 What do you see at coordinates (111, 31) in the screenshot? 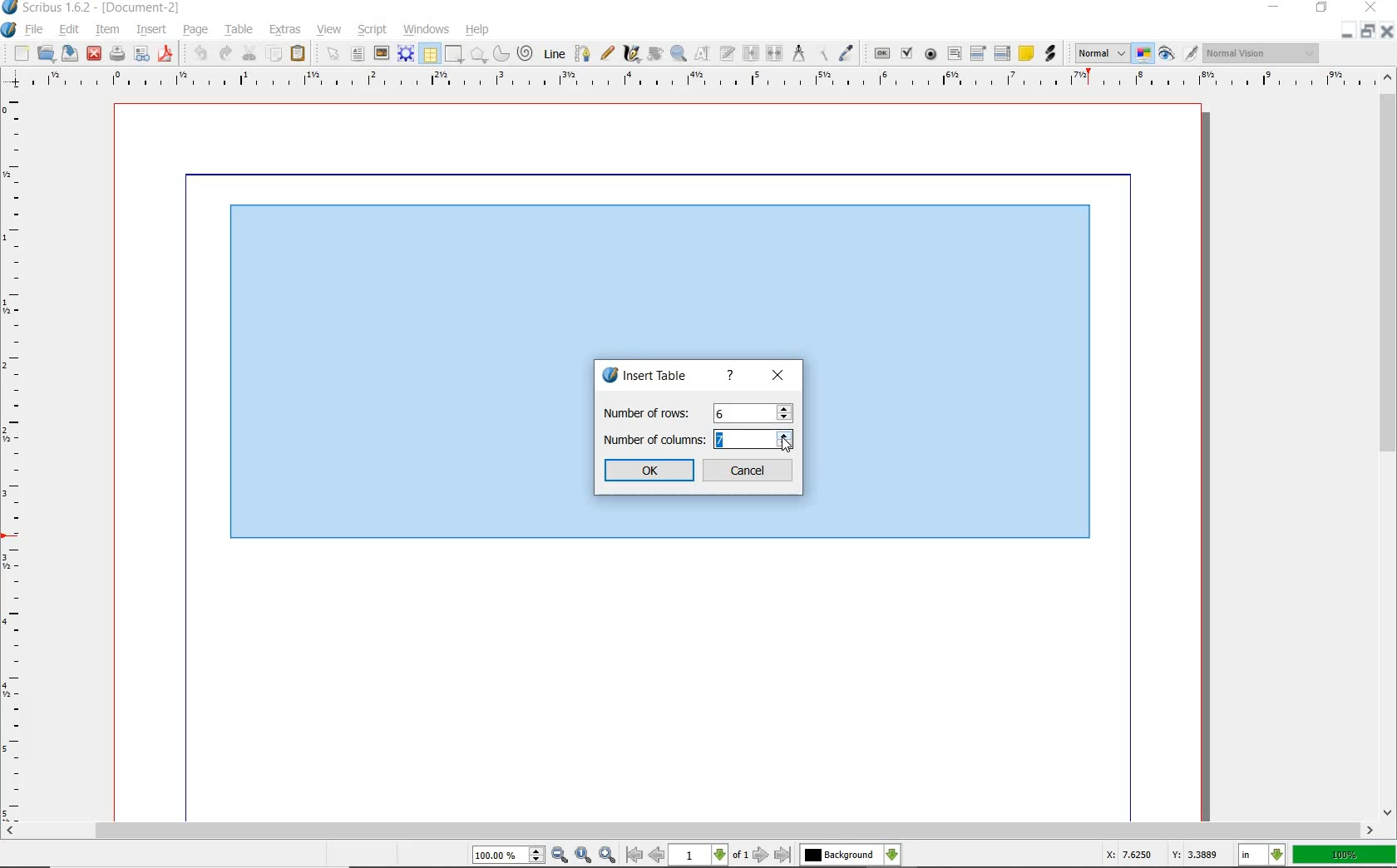
I see `item` at bounding box center [111, 31].